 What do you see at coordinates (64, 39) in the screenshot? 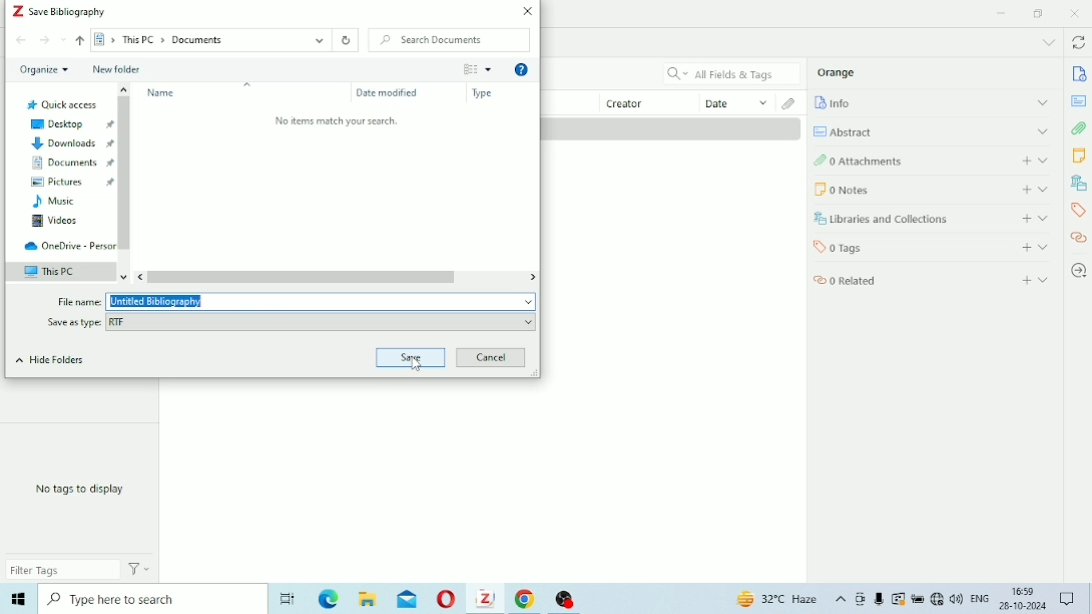
I see `Recent locations` at bounding box center [64, 39].